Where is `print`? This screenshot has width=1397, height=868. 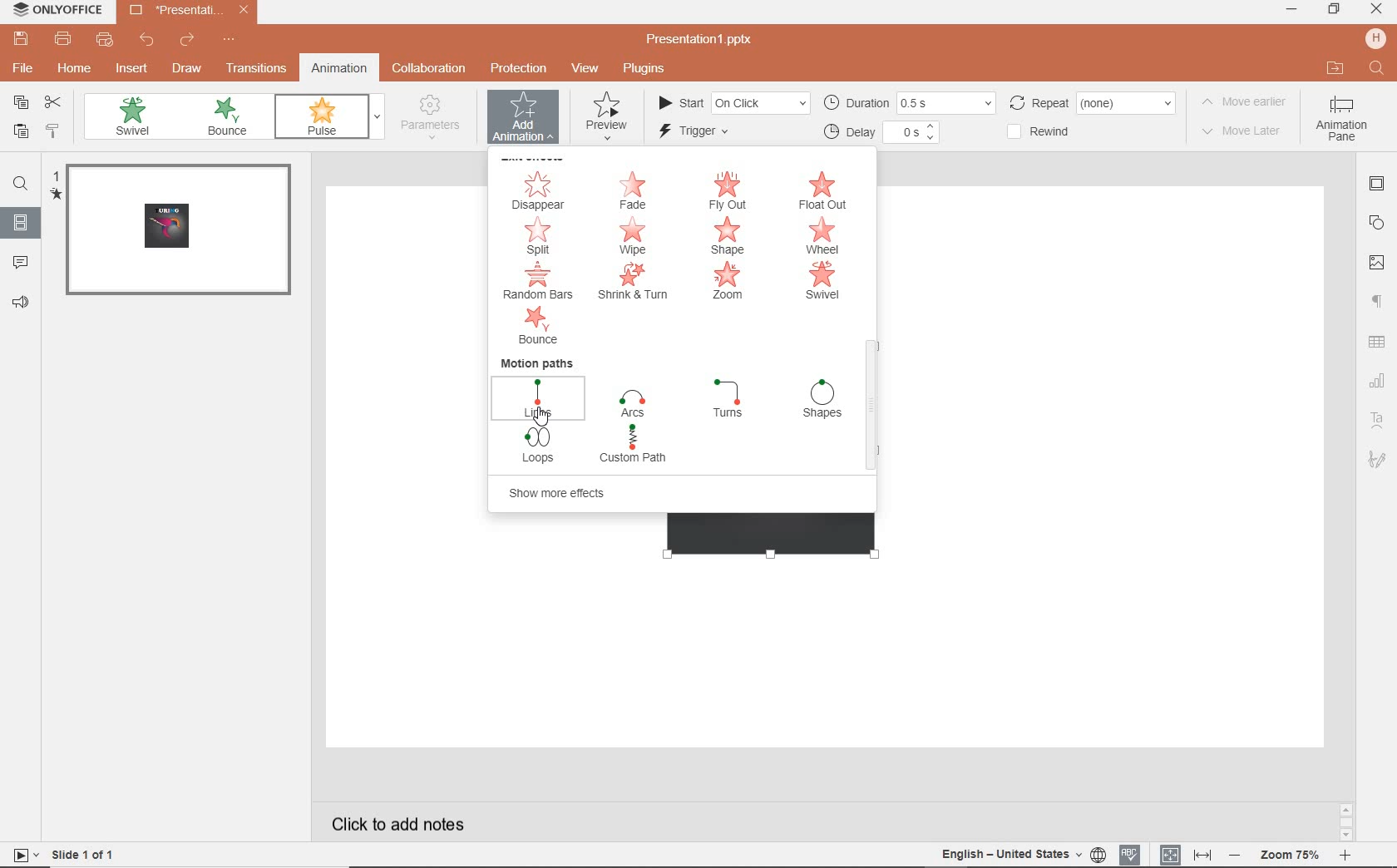 print is located at coordinates (62, 38).